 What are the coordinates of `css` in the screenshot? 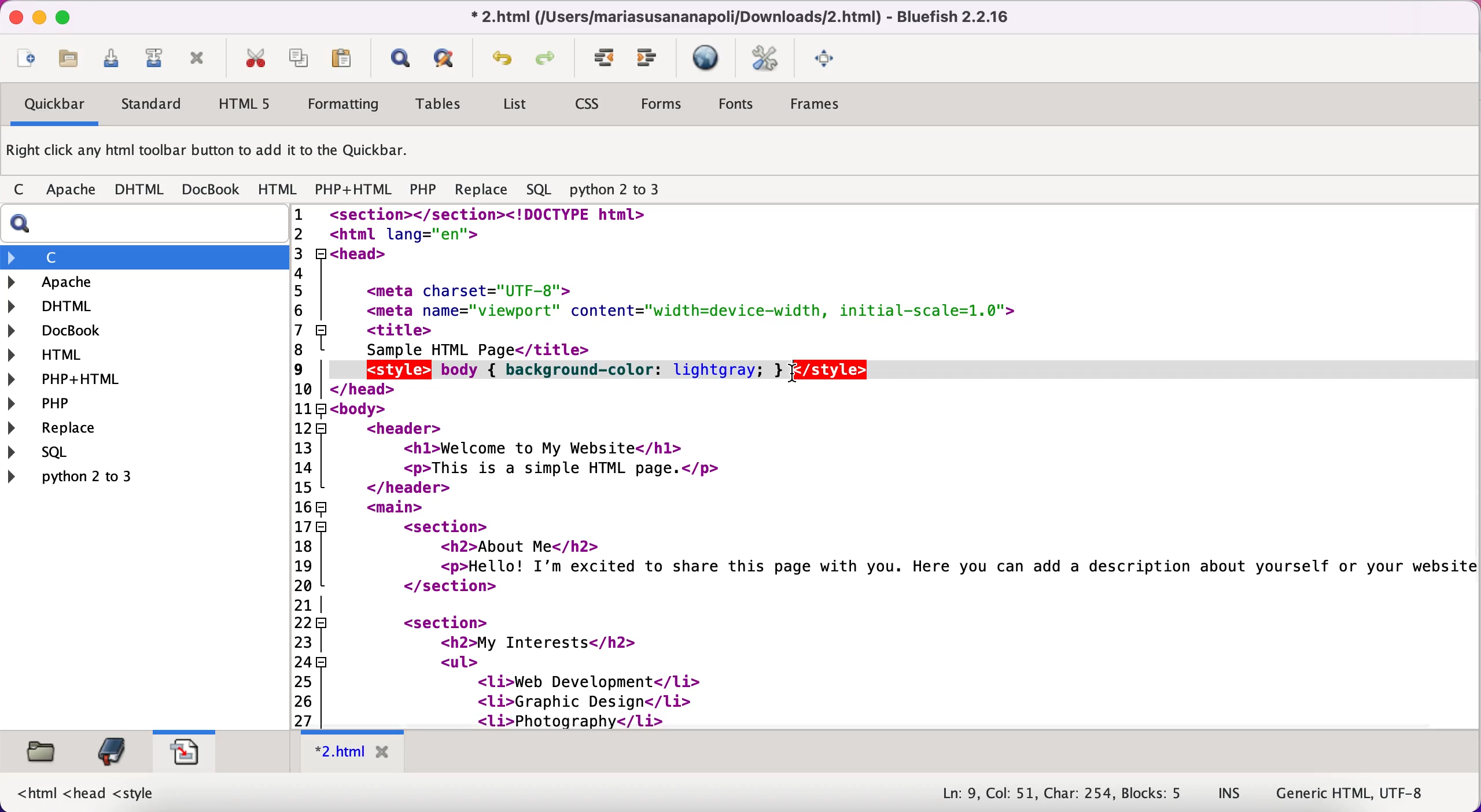 It's located at (589, 105).